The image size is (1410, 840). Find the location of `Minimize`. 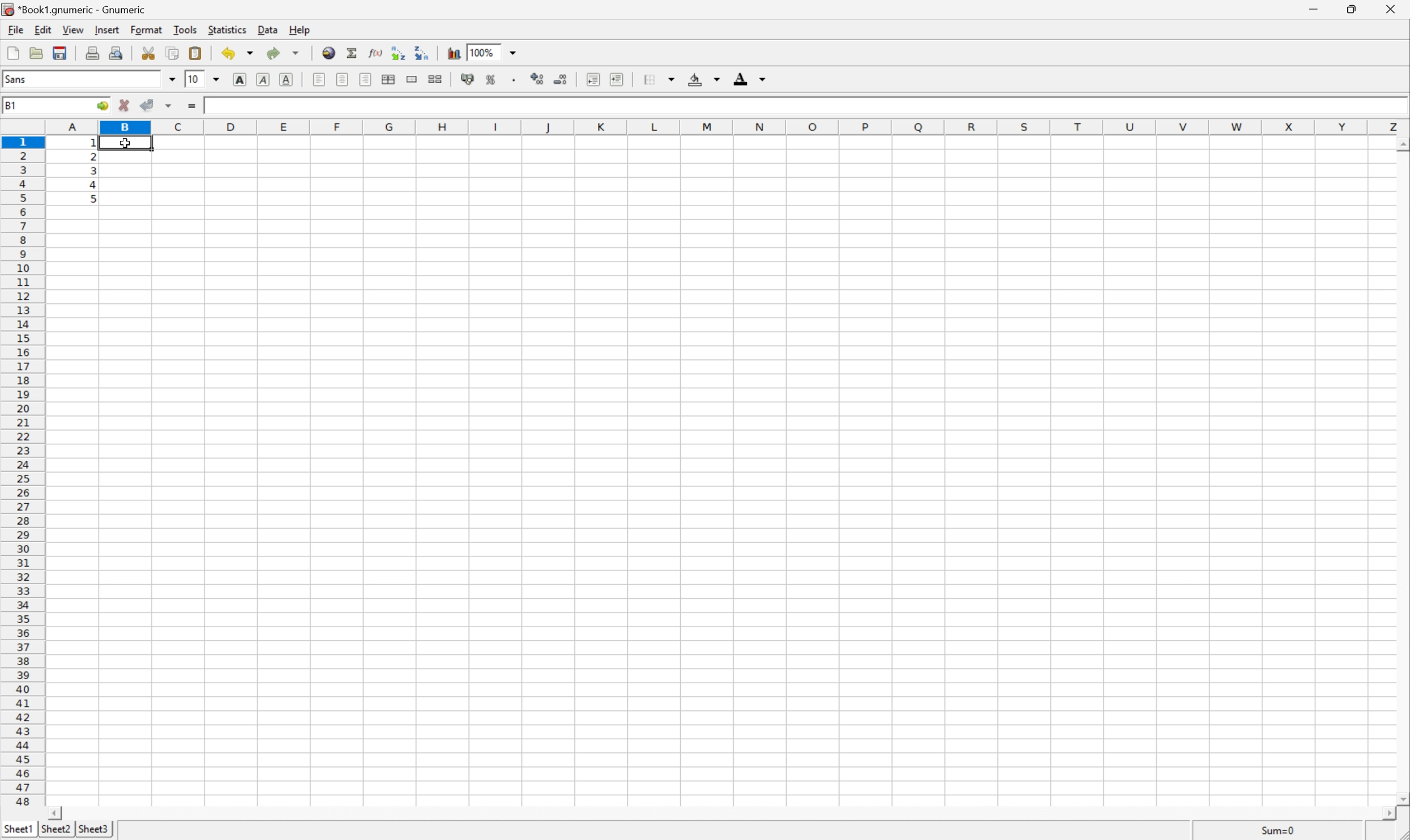

Minimize is located at coordinates (1316, 8).